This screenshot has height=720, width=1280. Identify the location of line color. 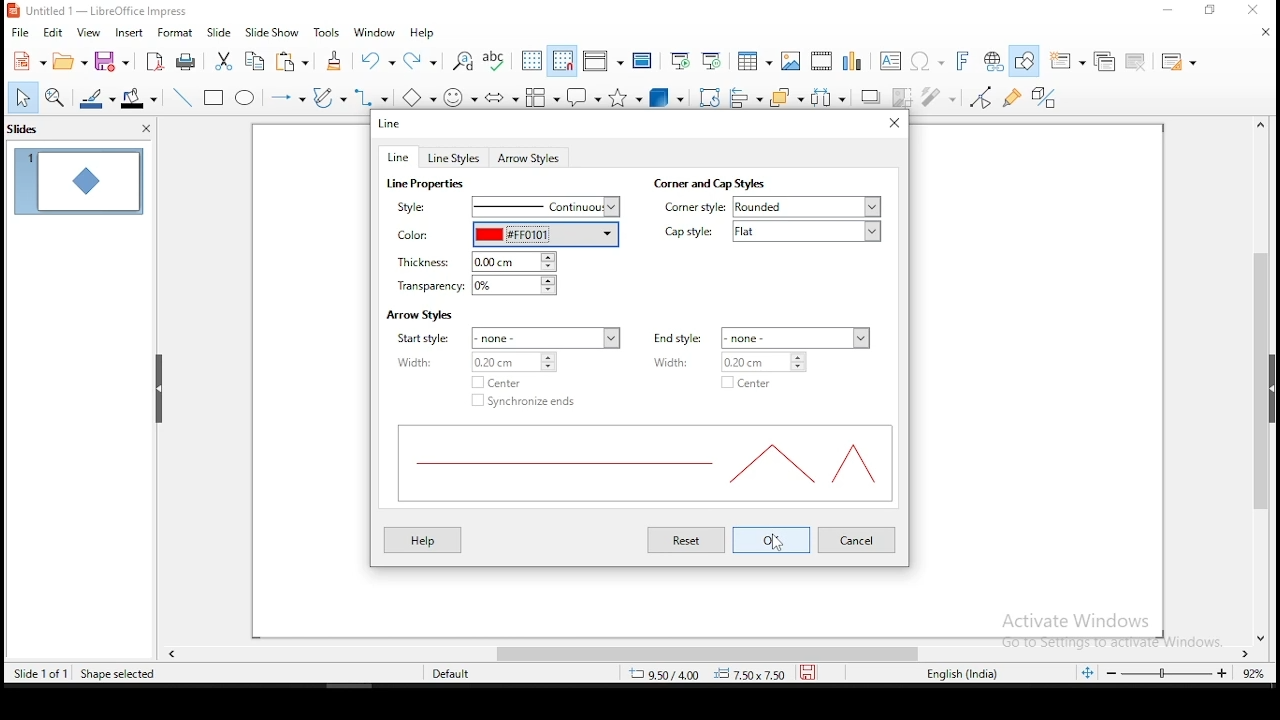
(95, 99).